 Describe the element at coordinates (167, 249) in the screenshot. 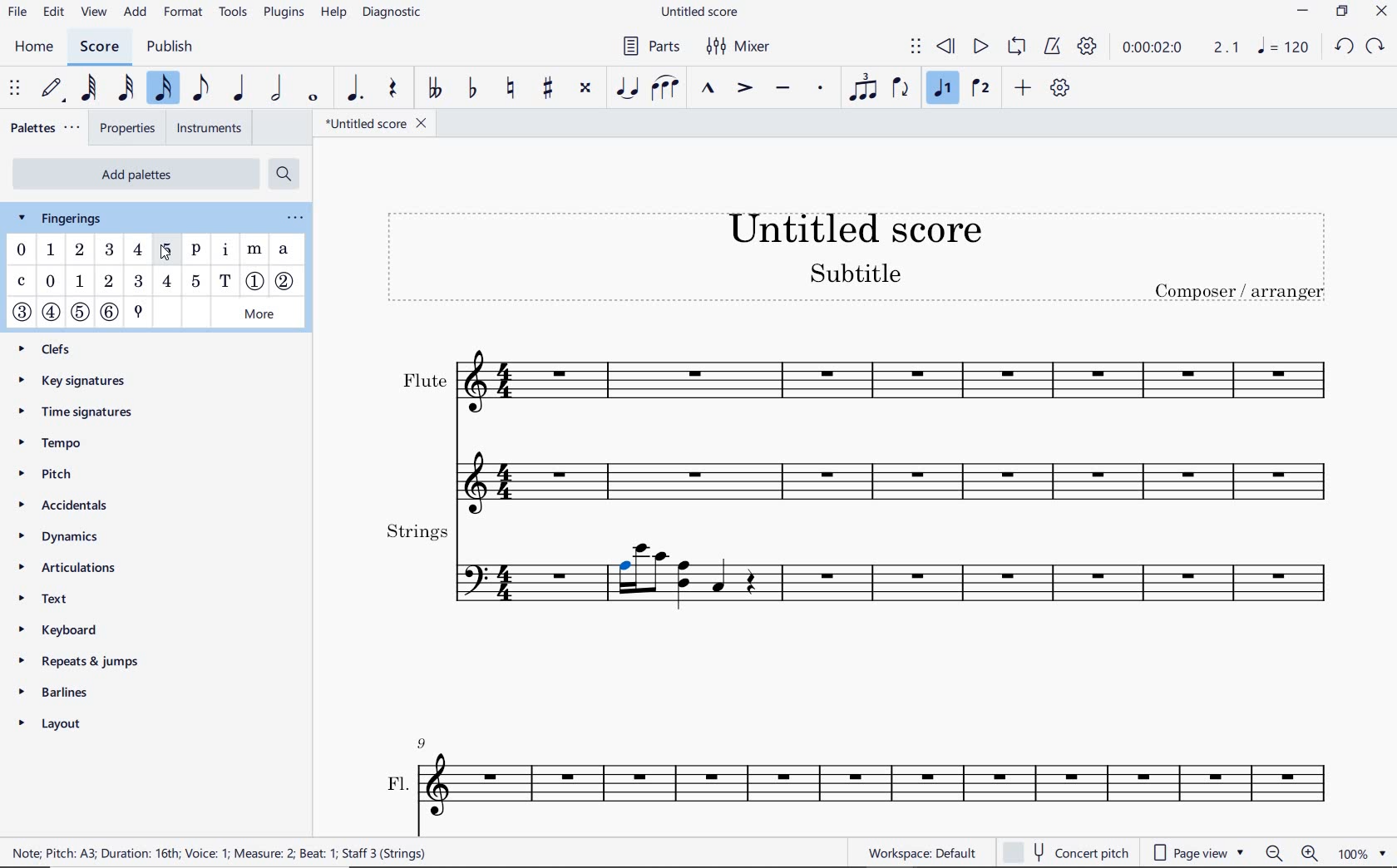

I see `cursor` at that location.